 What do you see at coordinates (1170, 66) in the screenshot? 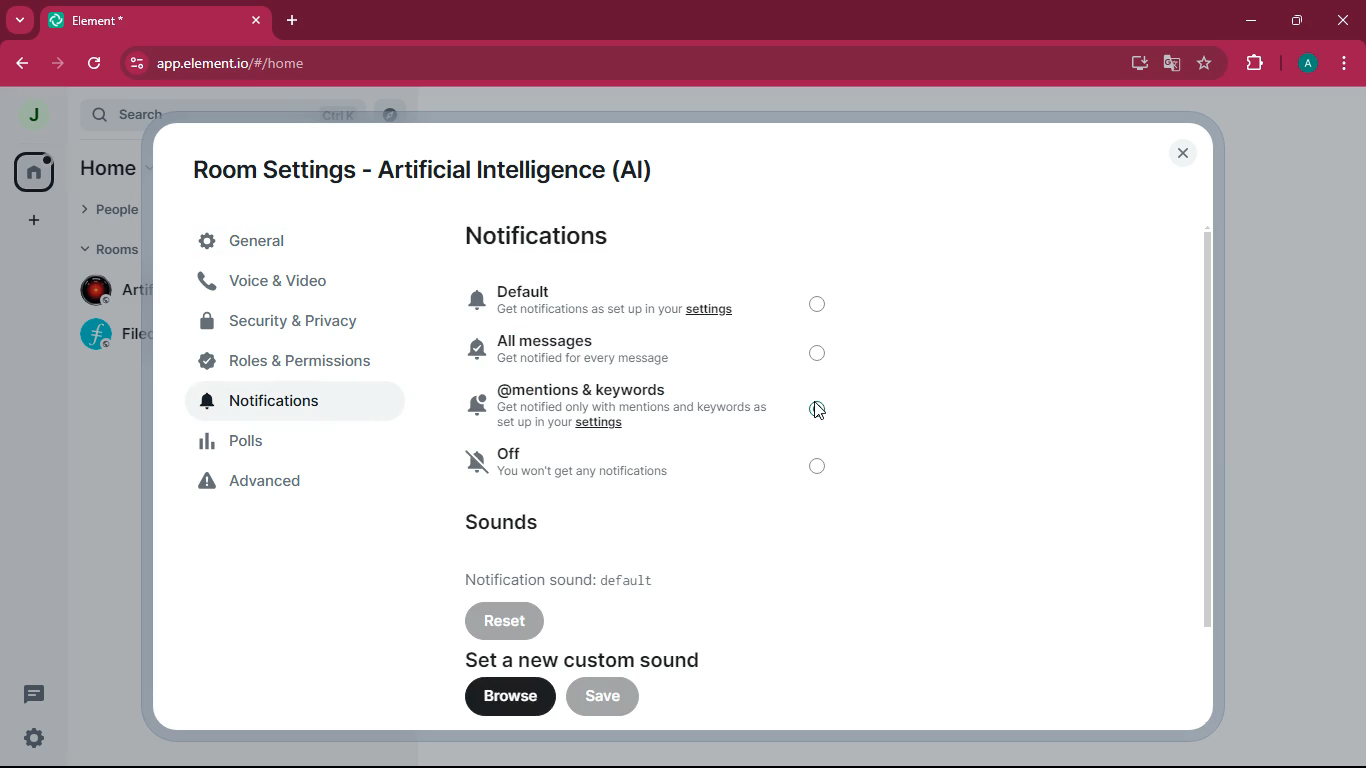
I see `google translate` at bounding box center [1170, 66].